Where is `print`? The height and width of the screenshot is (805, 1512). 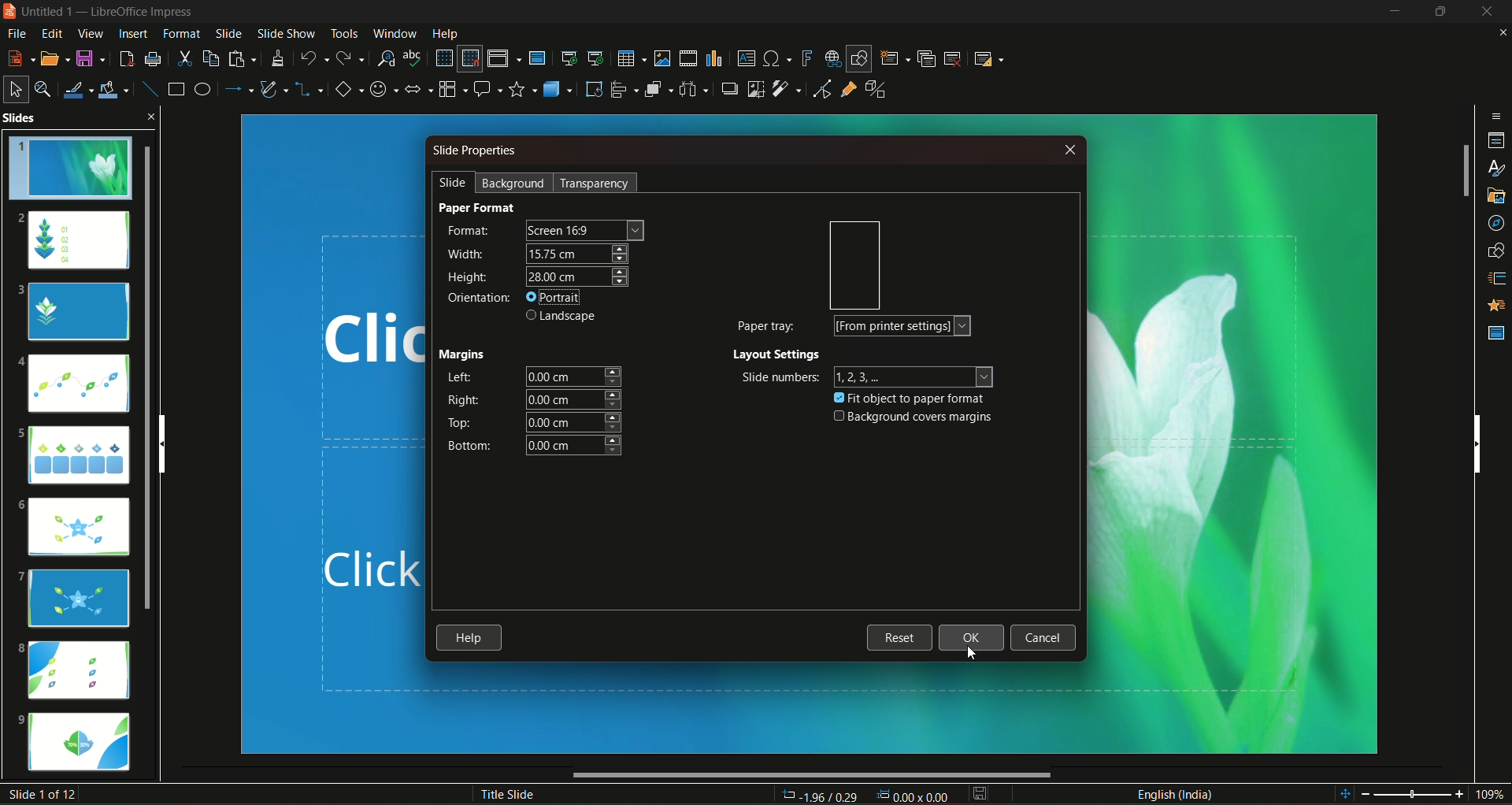 print is located at coordinates (153, 57).